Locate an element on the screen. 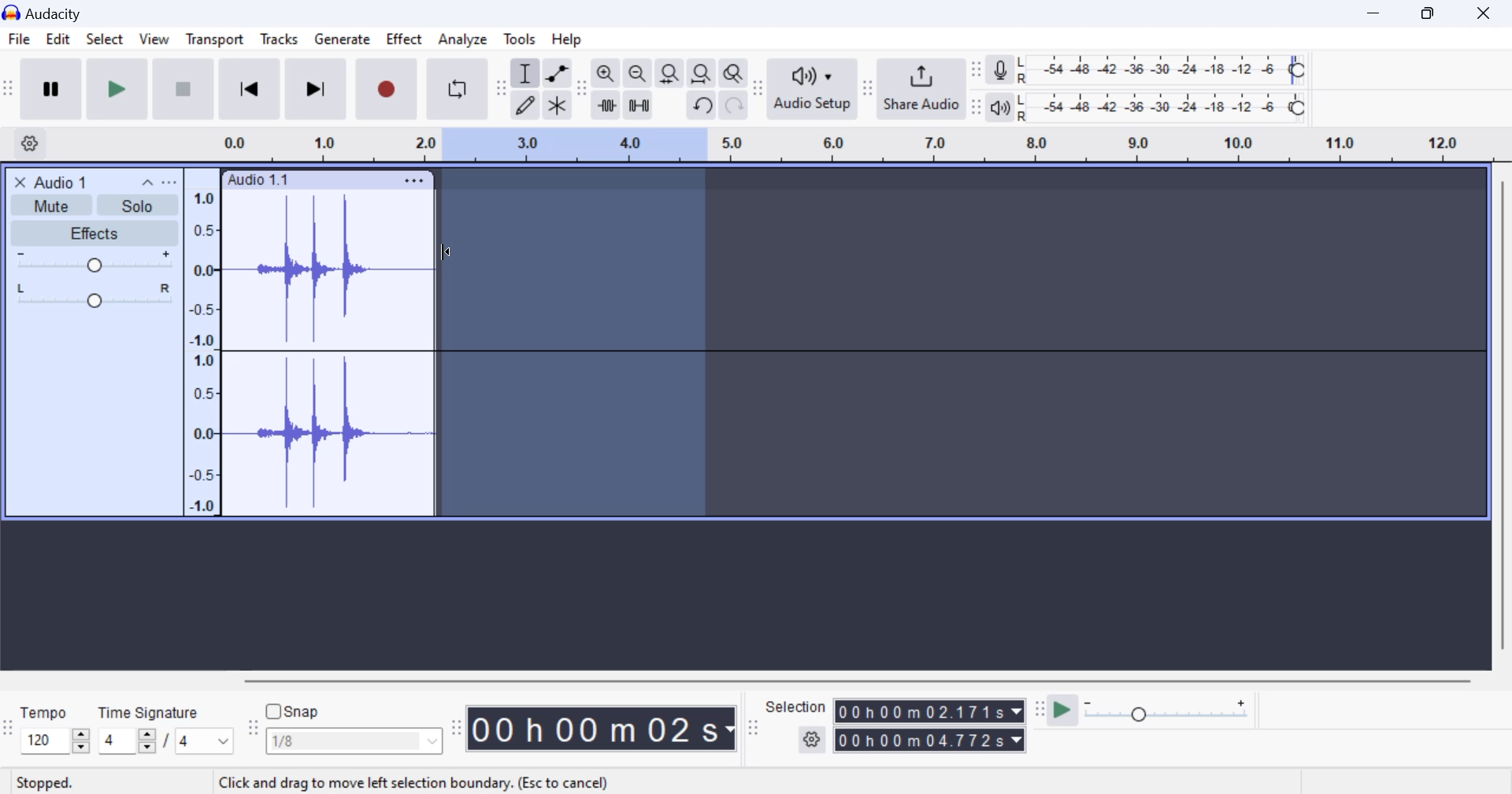 Image resolution: width=1512 pixels, height=794 pixels. Stop is located at coordinates (185, 88).